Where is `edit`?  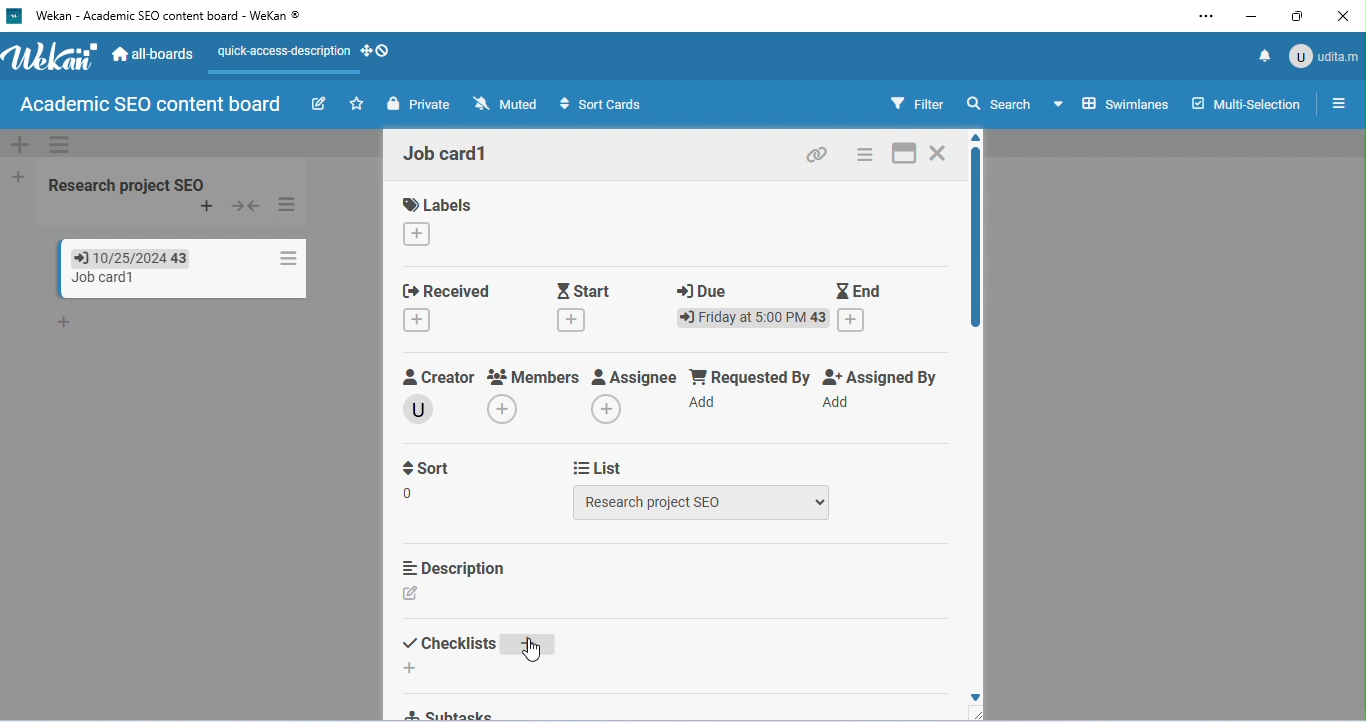
edit is located at coordinates (318, 103).